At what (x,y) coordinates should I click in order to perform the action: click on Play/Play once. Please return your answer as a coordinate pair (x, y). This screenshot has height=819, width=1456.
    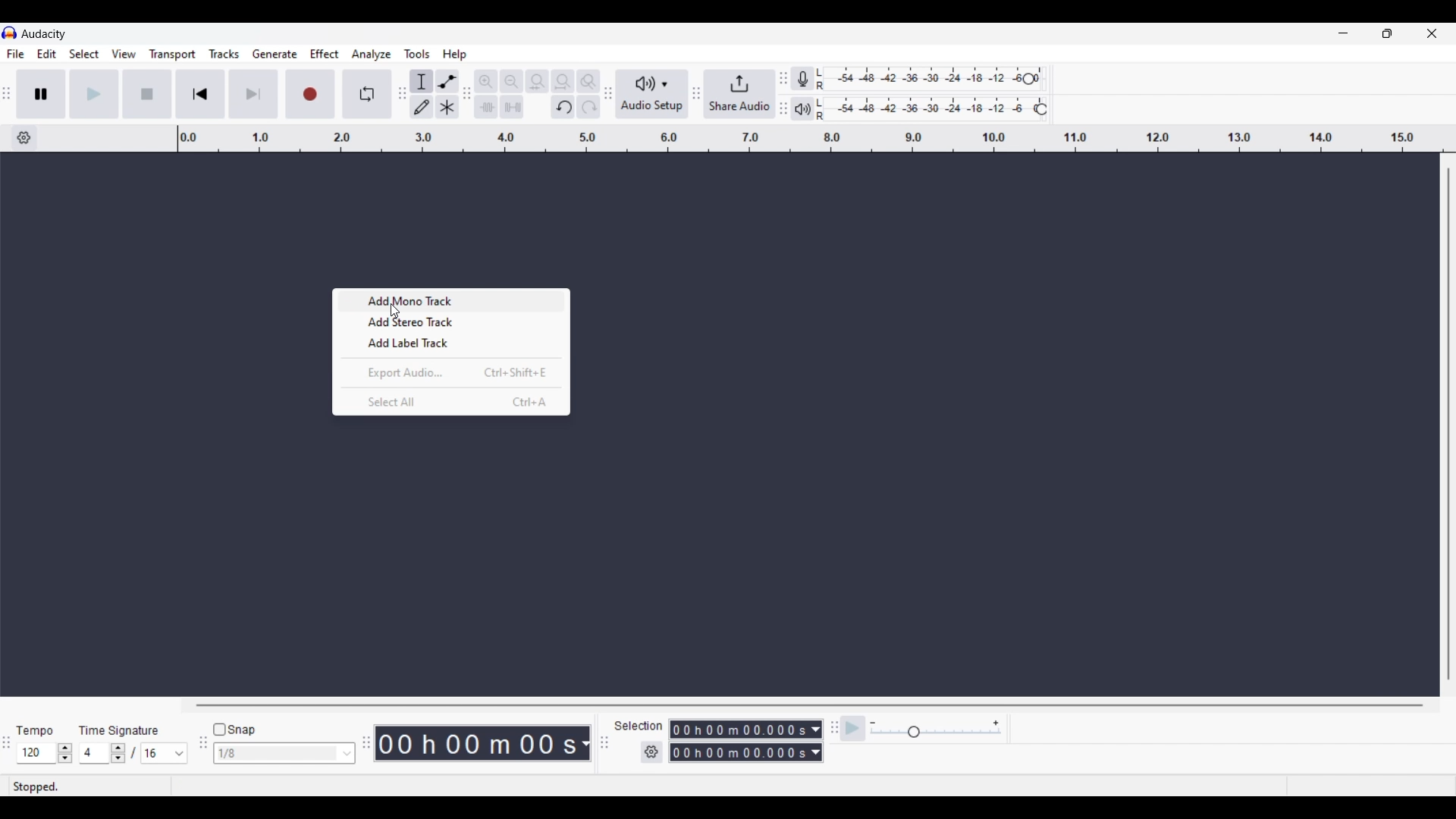
    Looking at the image, I should click on (94, 93).